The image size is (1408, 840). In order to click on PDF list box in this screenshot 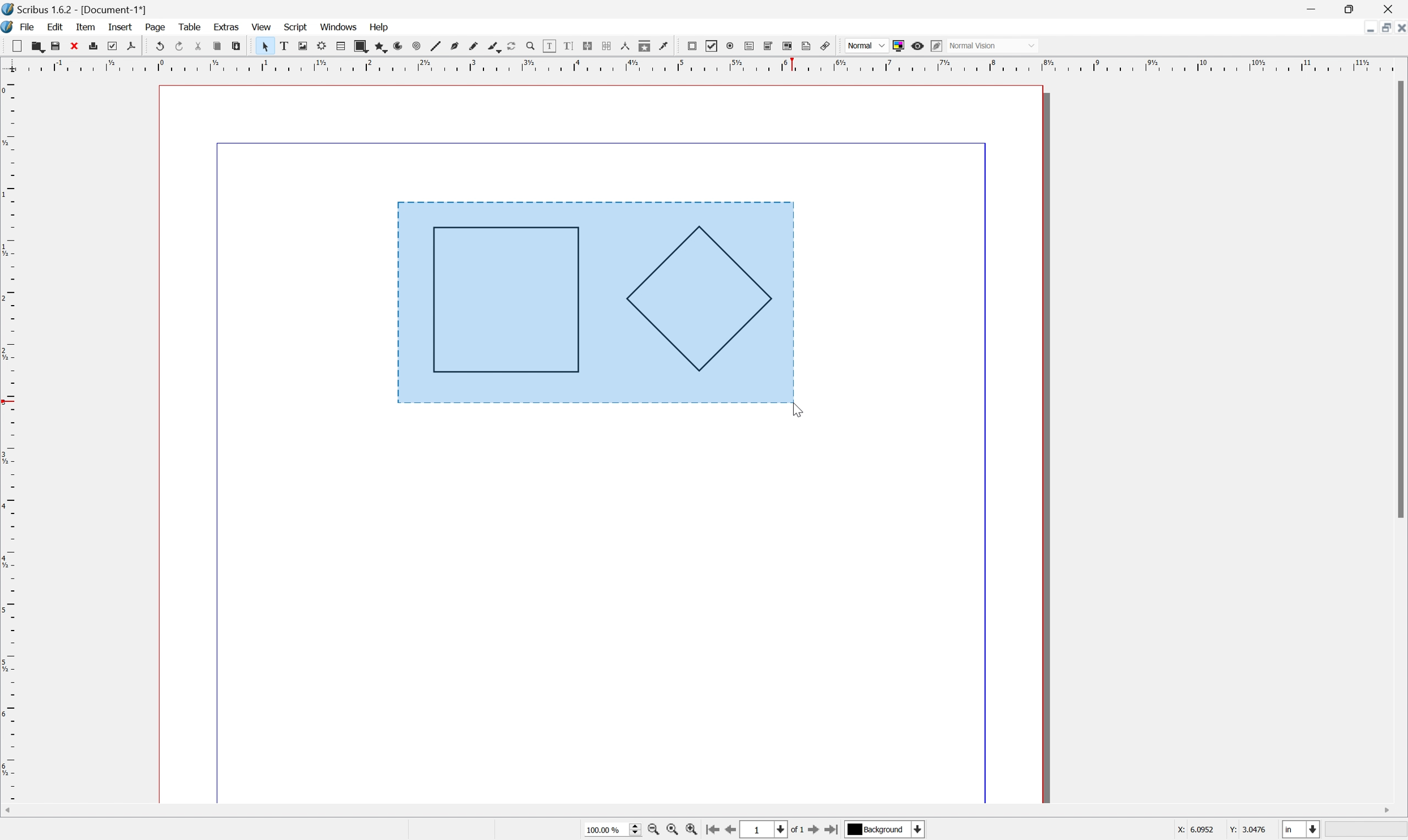, I will do `click(785, 45)`.